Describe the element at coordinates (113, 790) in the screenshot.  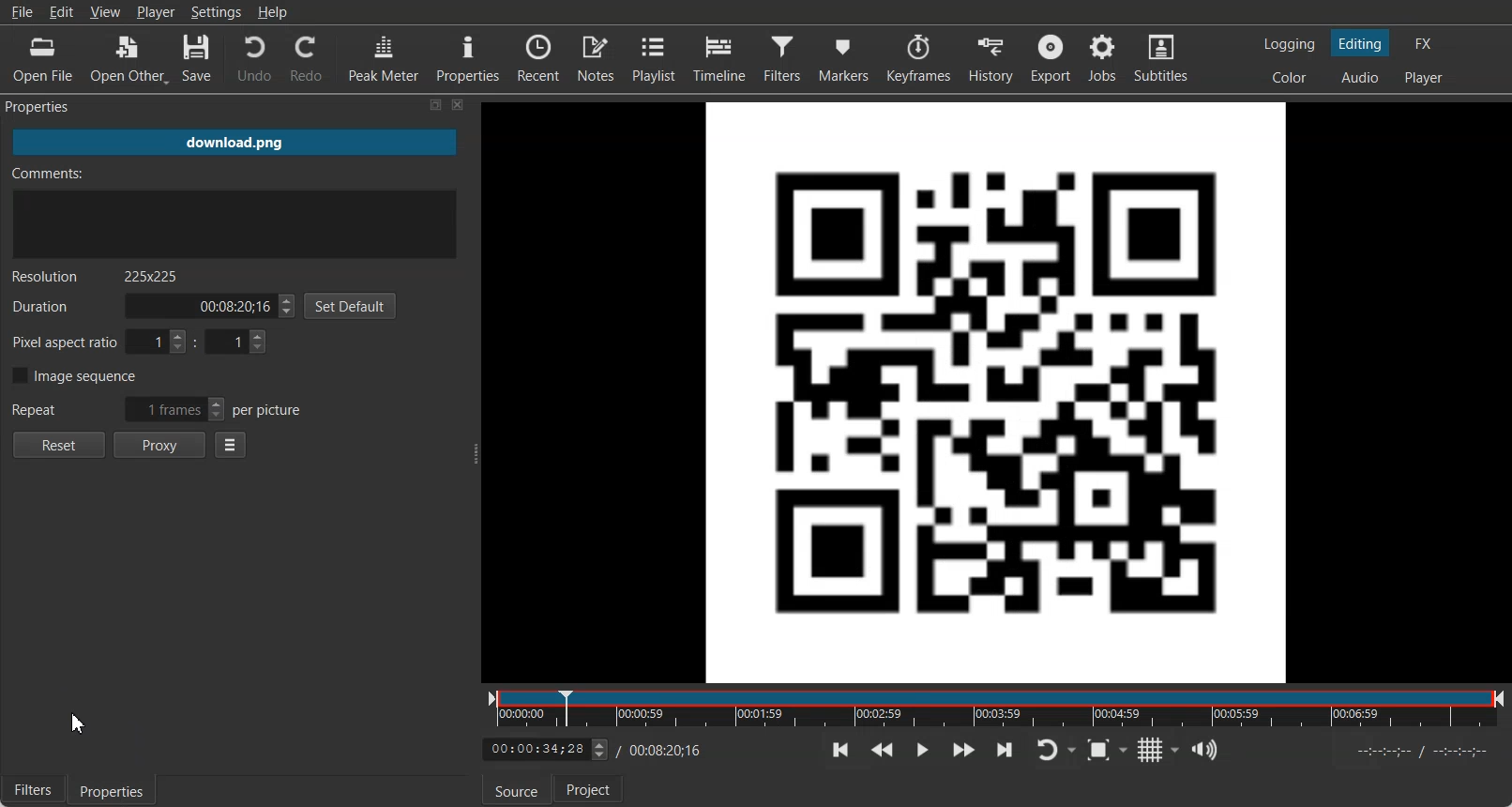
I see `Properties` at that location.